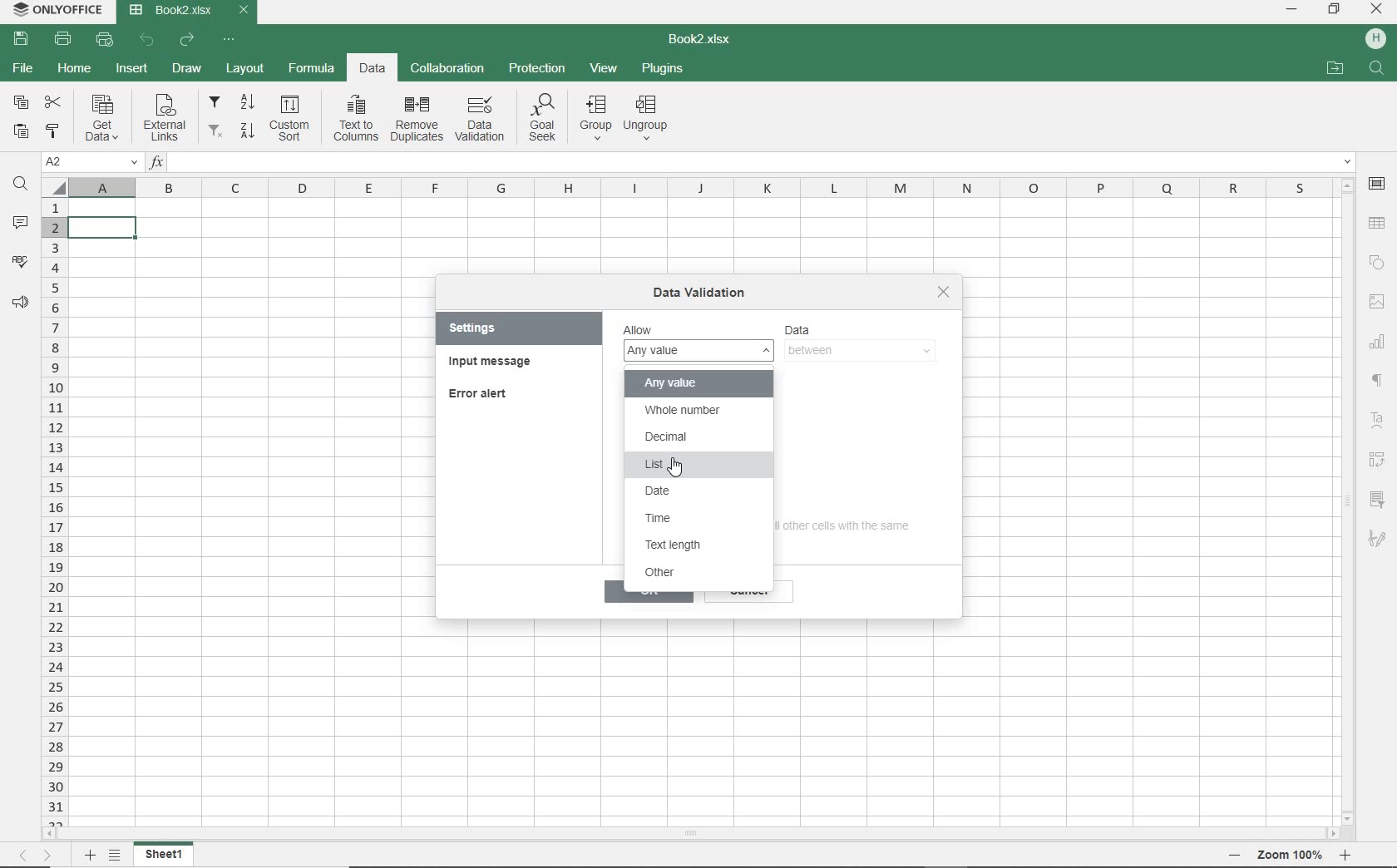 The width and height of the screenshot is (1397, 868). What do you see at coordinates (90, 163) in the screenshot?
I see `NAME MANAGER` at bounding box center [90, 163].